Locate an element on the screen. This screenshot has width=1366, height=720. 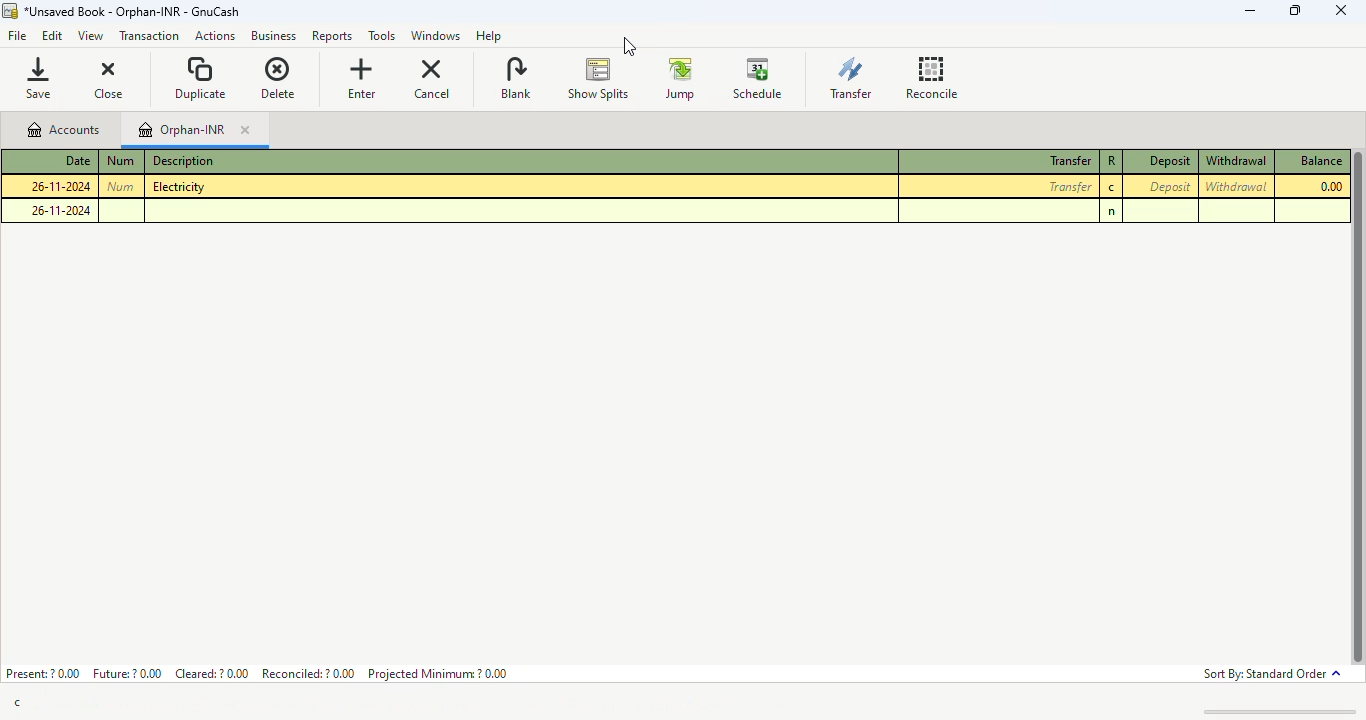
26-11-2024 is located at coordinates (61, 210).